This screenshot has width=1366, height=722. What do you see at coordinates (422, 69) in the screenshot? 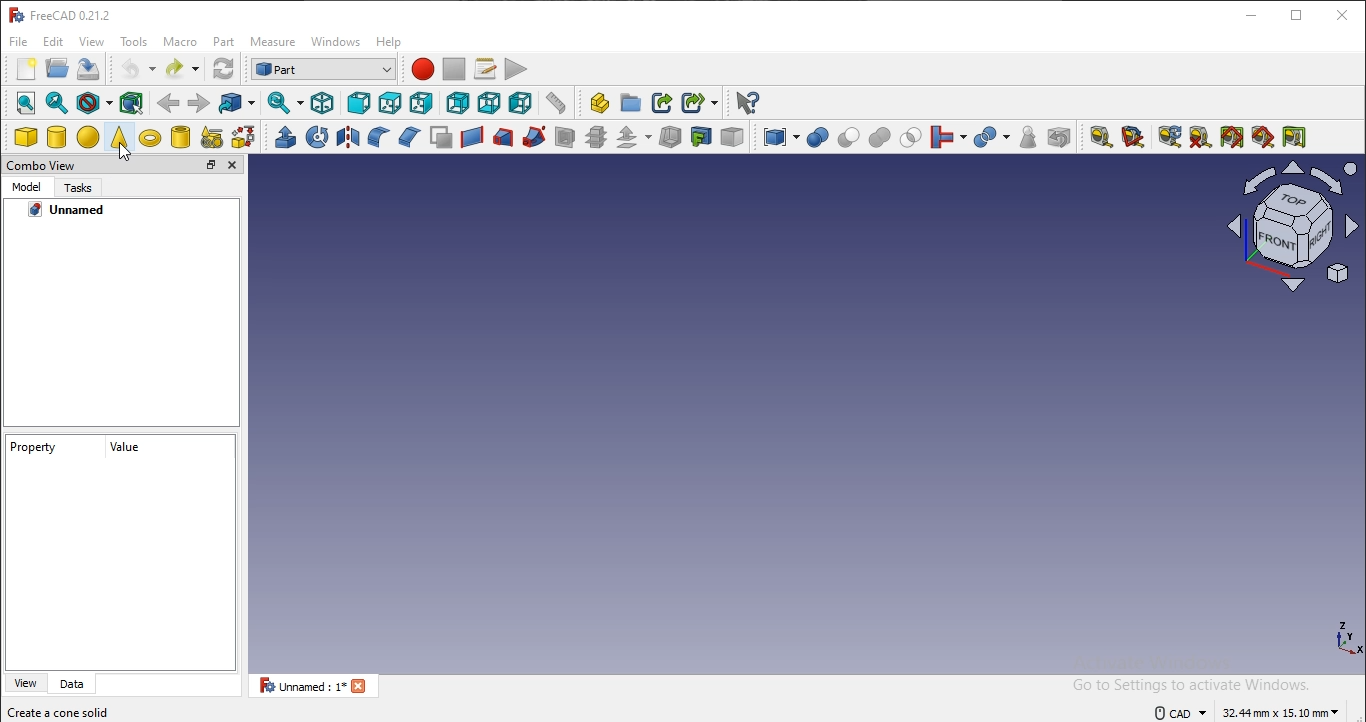
I see `macro recording` at bounding box center [422, 69].